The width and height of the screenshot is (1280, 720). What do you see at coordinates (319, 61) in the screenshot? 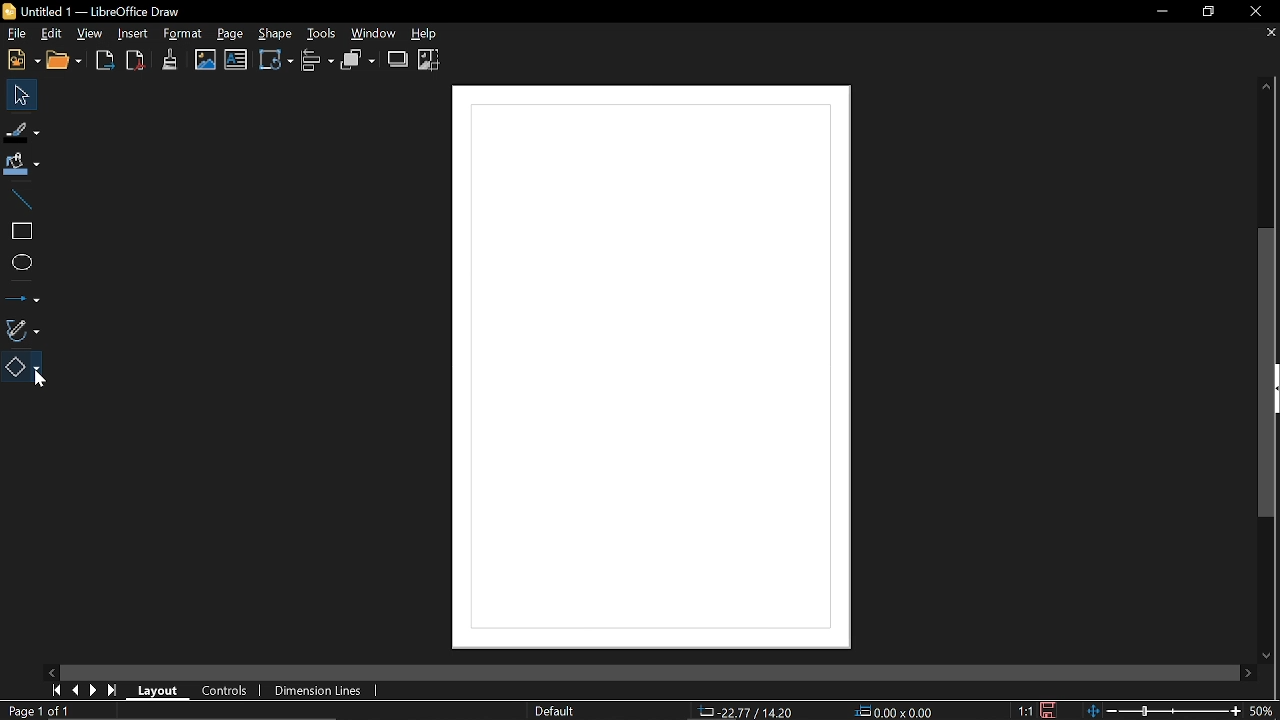
I see `Align` at bounding box center [319, 61].